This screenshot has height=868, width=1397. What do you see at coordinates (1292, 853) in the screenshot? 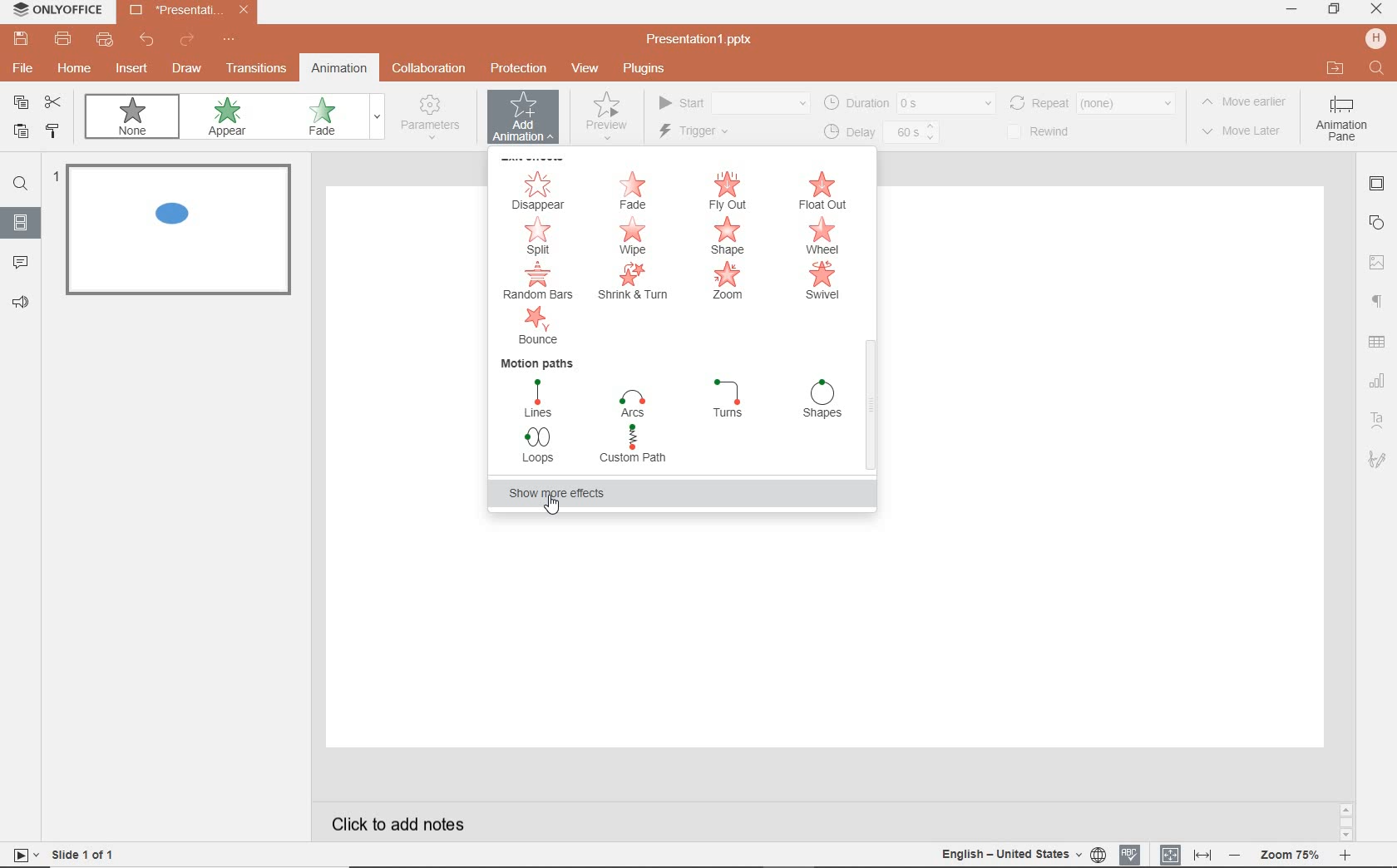
I see `zoom` at bounding box center [1292, 853].